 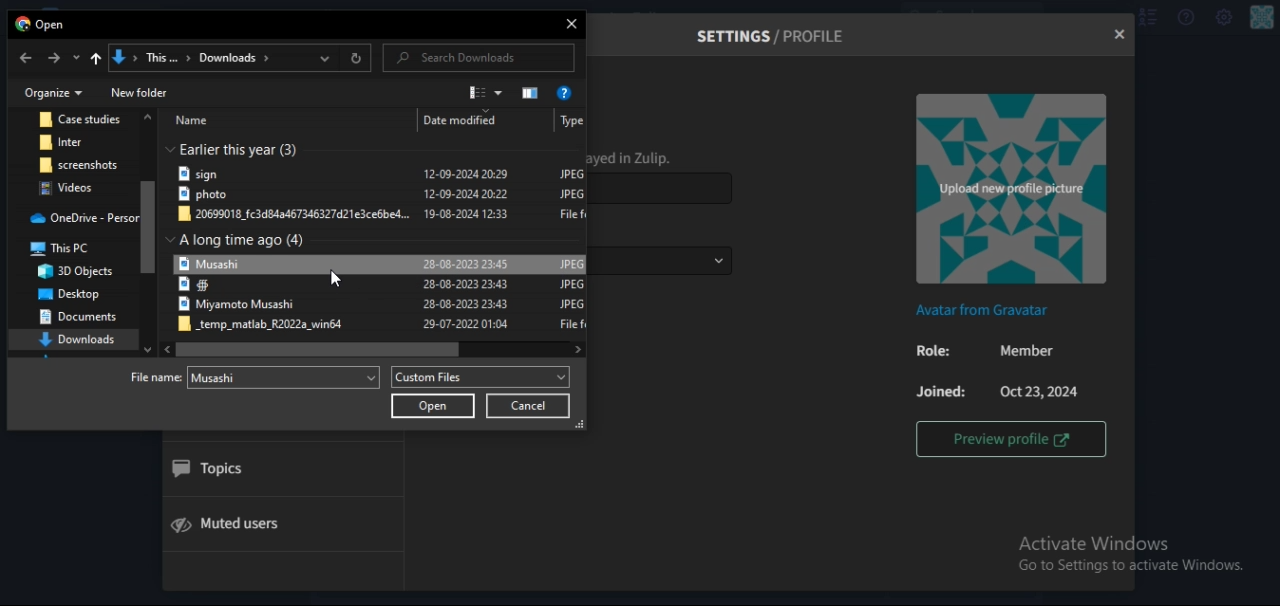 What do you see at coordinates (76, 142) in the screenshot?
I see `file` at bounding box center [76, 142].